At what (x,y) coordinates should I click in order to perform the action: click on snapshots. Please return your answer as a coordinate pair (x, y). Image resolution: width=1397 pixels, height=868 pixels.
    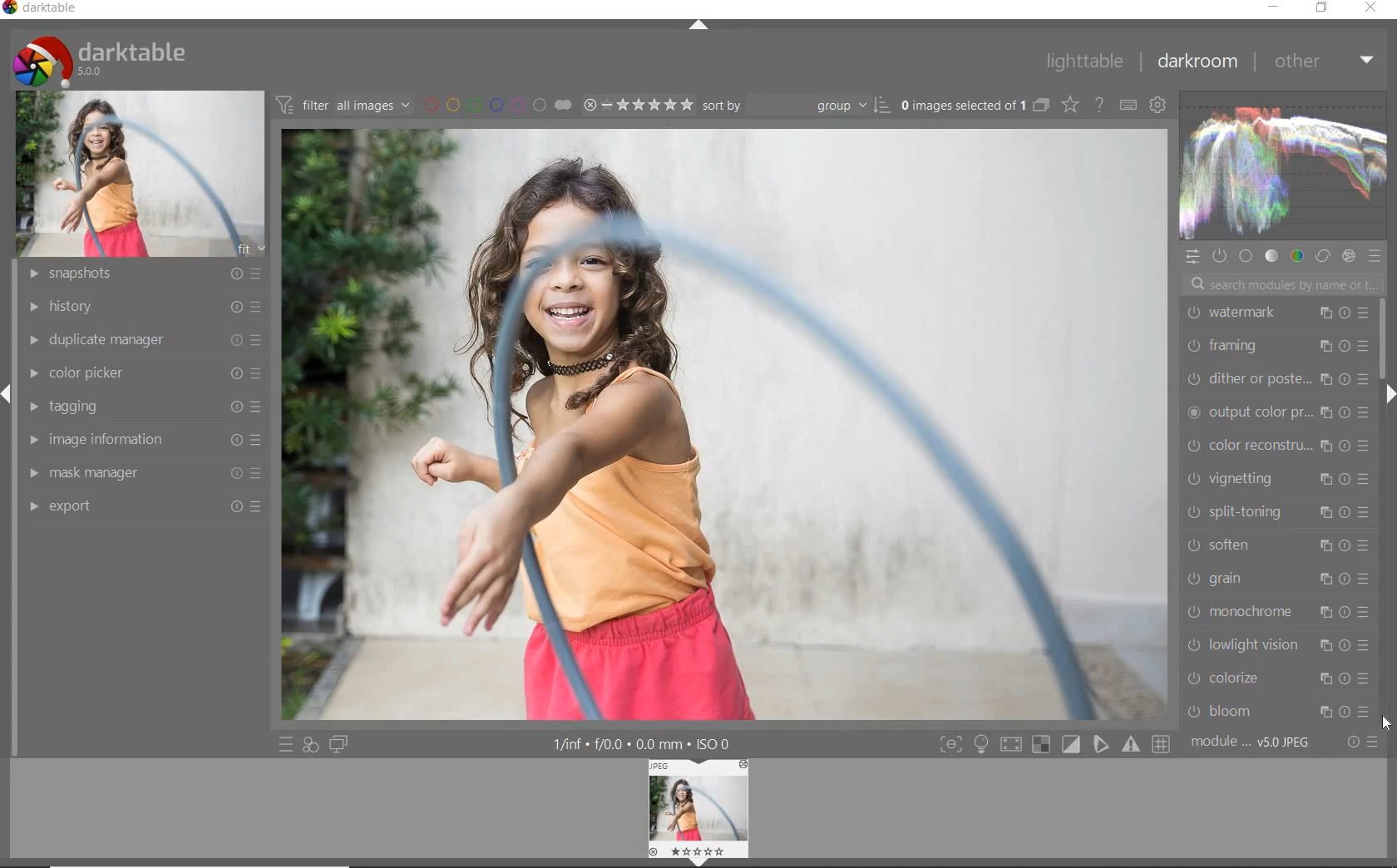
    Looking at the image, I should click on (139, 274).